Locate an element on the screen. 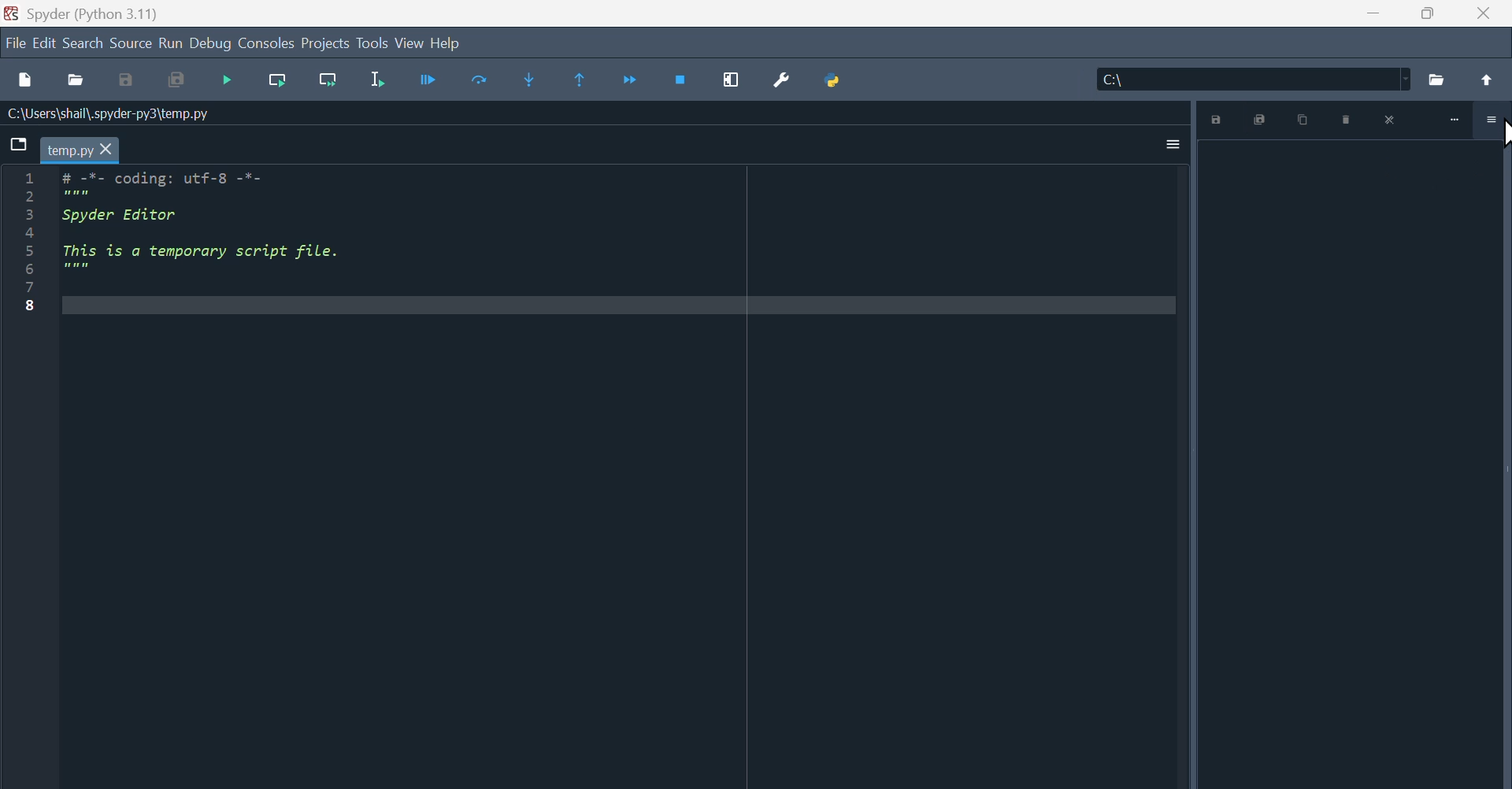 The width and height of the screenshot is (1512, 789). Stop debugging is located at coordinates (227, 81).